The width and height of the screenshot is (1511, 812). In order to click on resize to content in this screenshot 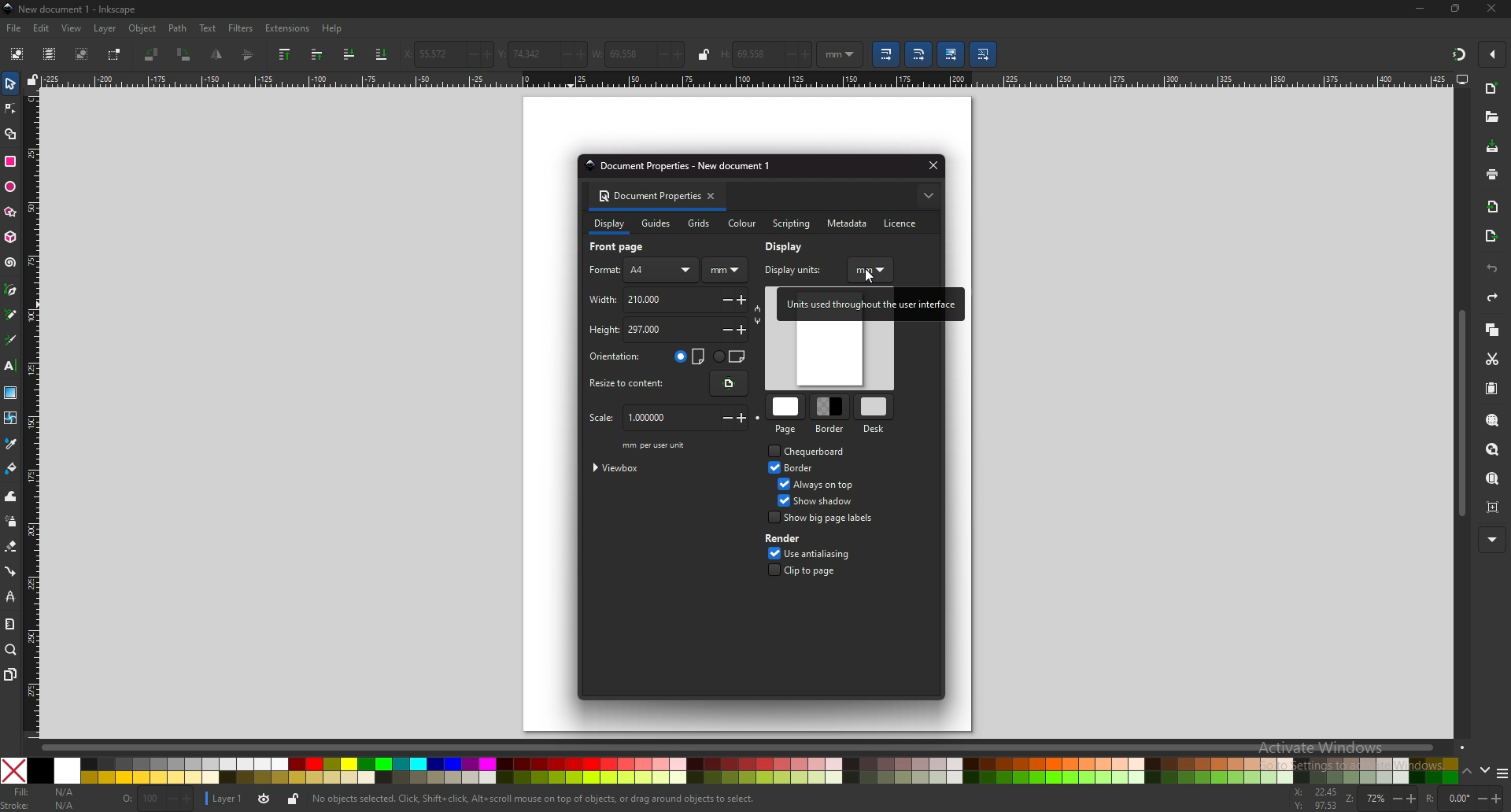, I will do `click(633, 384)`.